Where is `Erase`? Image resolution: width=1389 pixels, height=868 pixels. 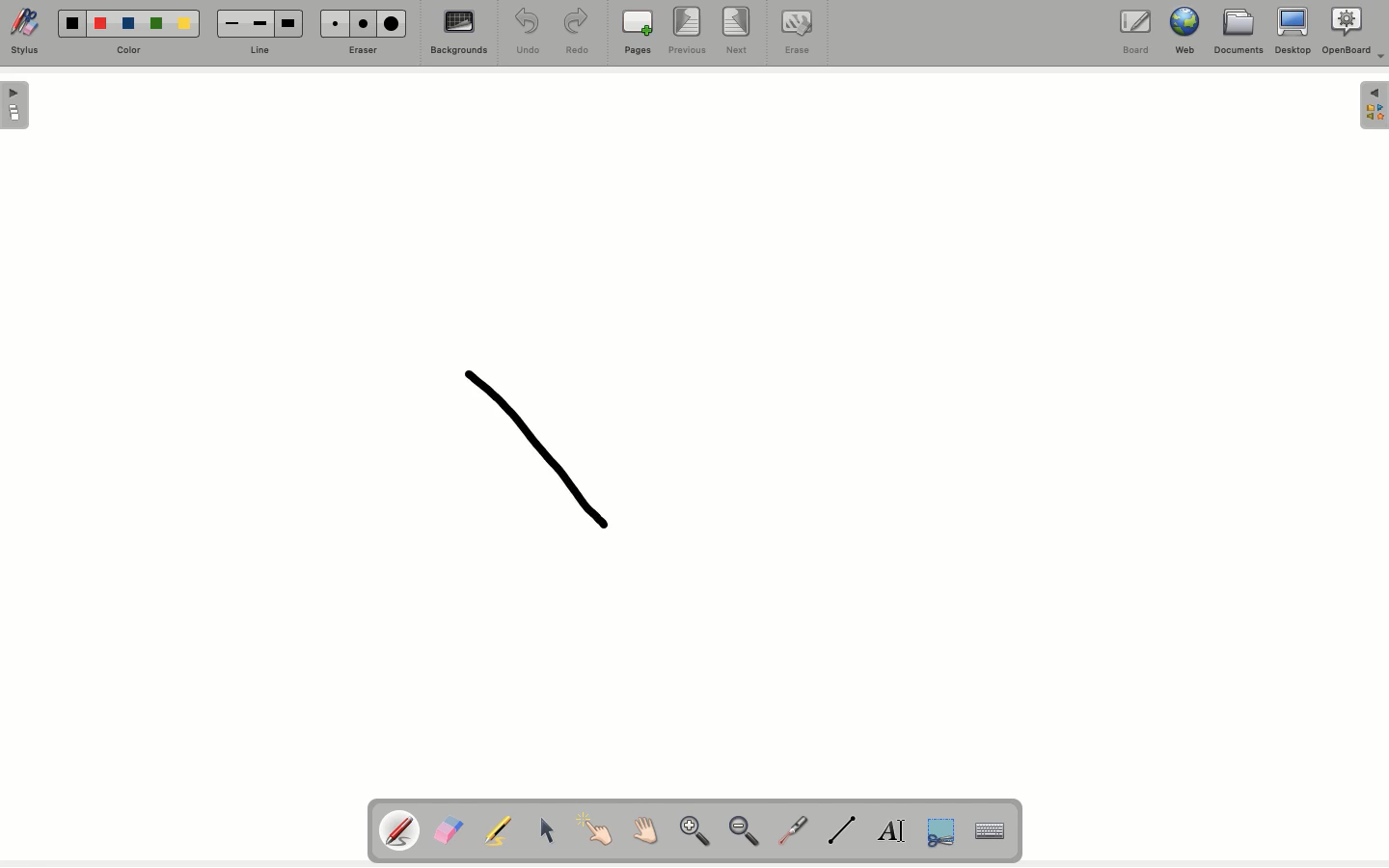 Erase is located at coordinates (797, 35).